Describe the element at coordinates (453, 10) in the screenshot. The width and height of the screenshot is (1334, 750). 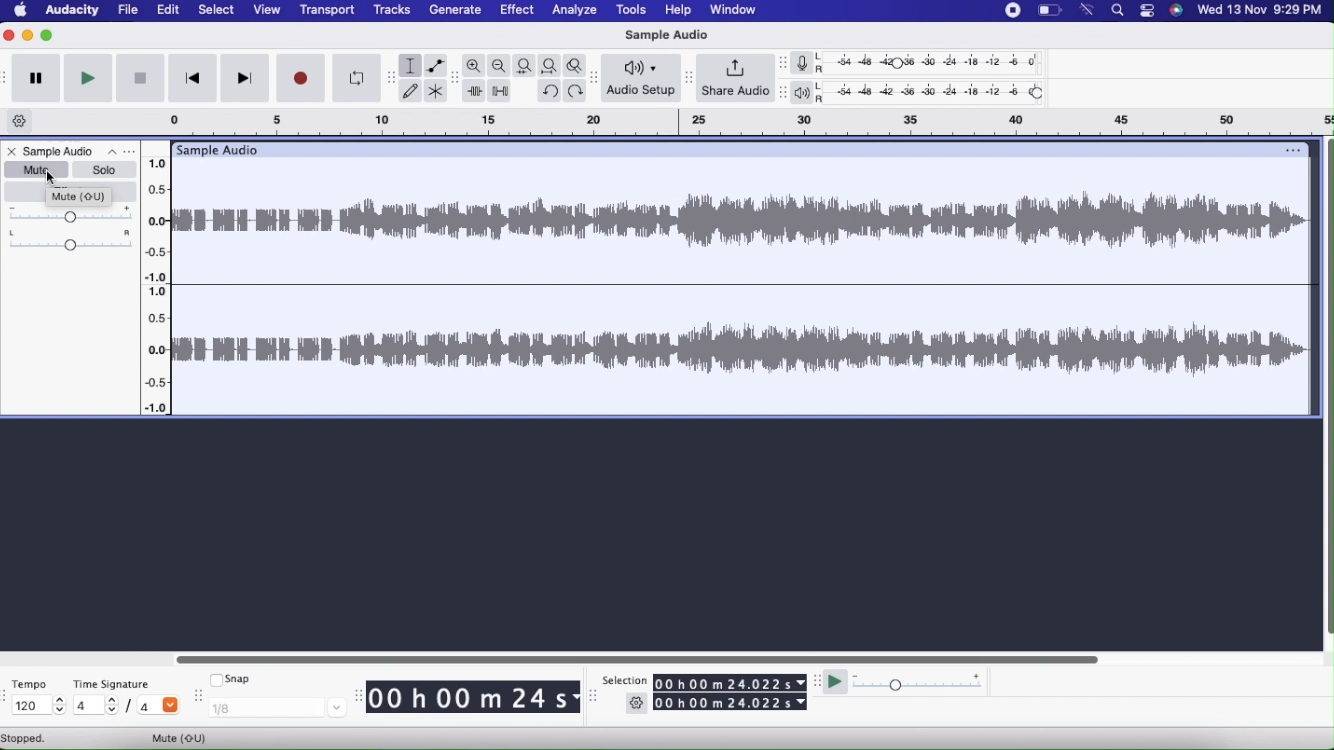
I see `Generate` at that location.